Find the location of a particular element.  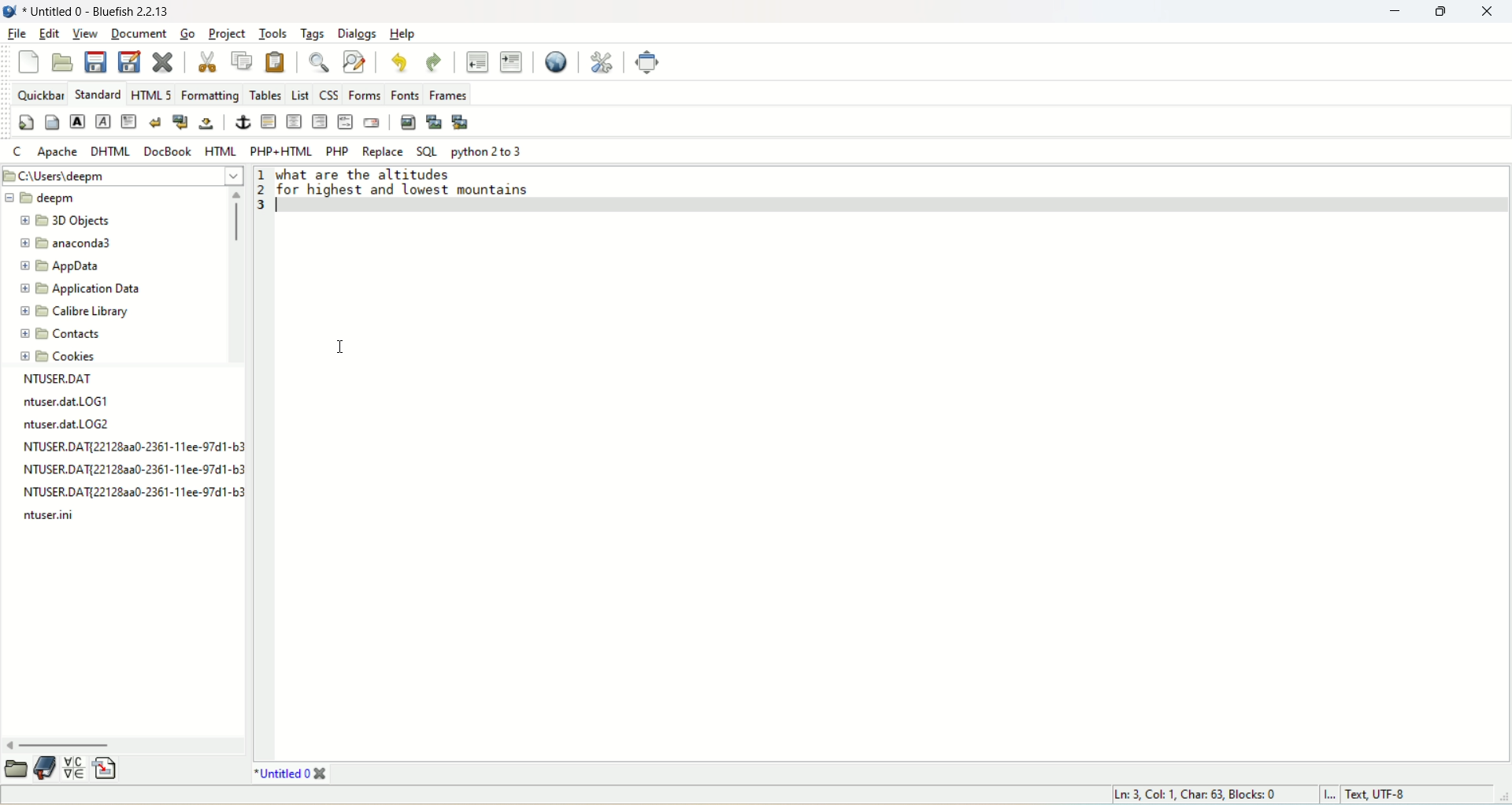

anaconda is located at coordinates (68, 244).